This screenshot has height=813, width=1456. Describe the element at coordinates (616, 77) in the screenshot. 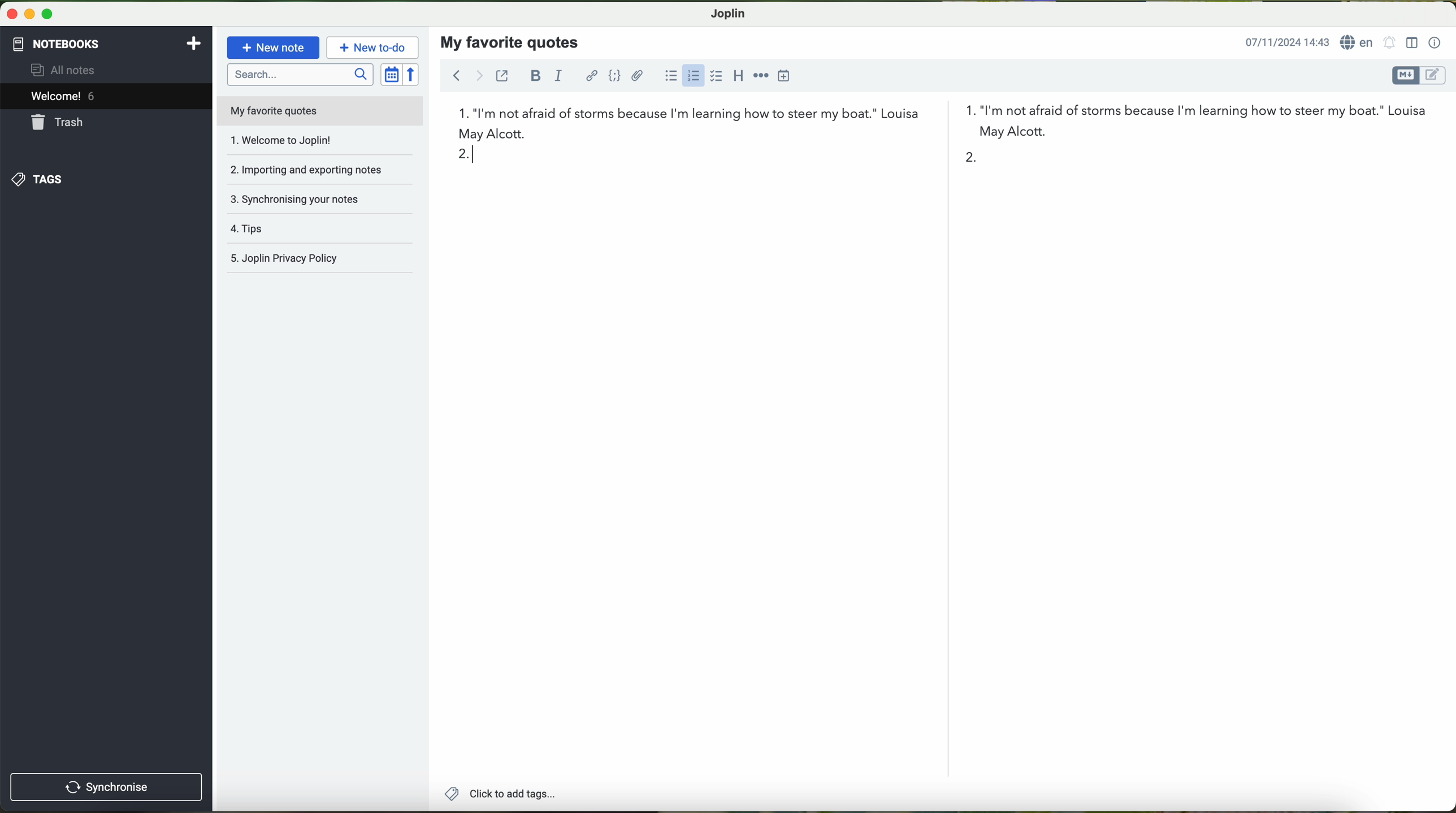

I see `code` at that location.